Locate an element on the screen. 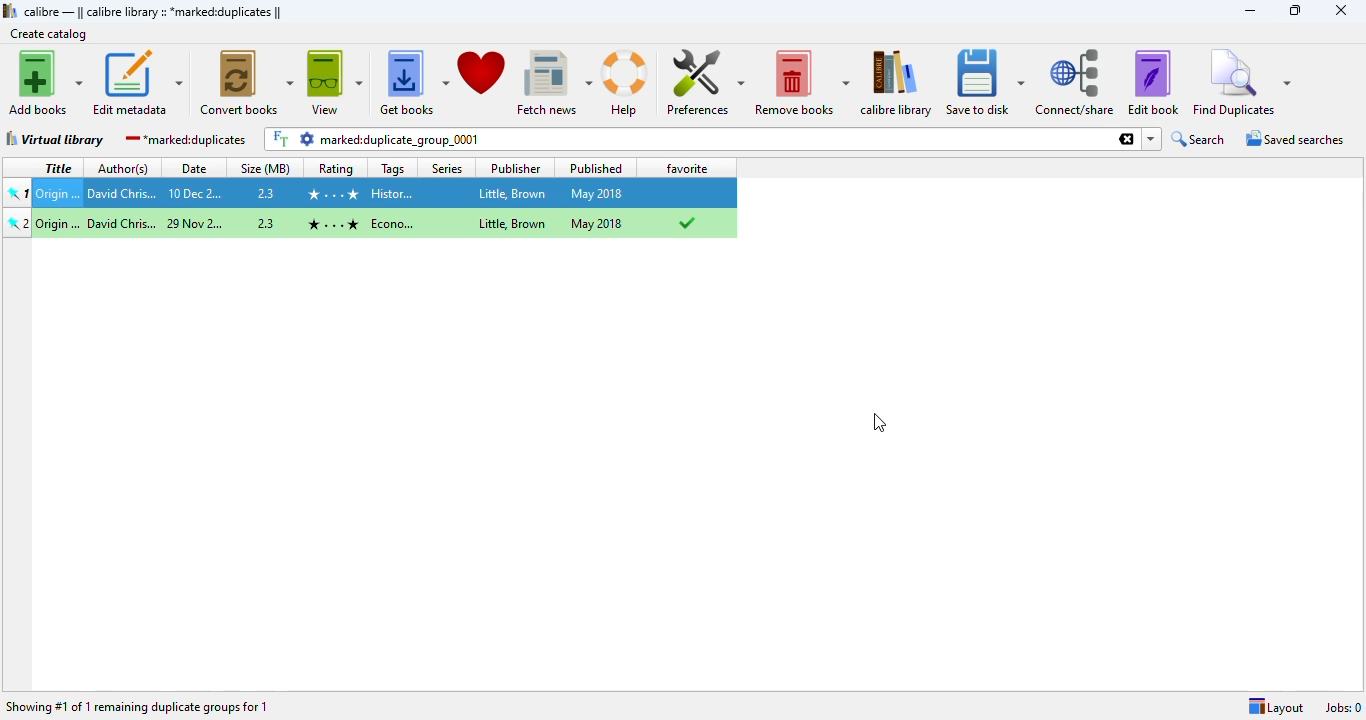 The width and height of the screenshot is (1366, 720). published is located at coordinates (598, 165).